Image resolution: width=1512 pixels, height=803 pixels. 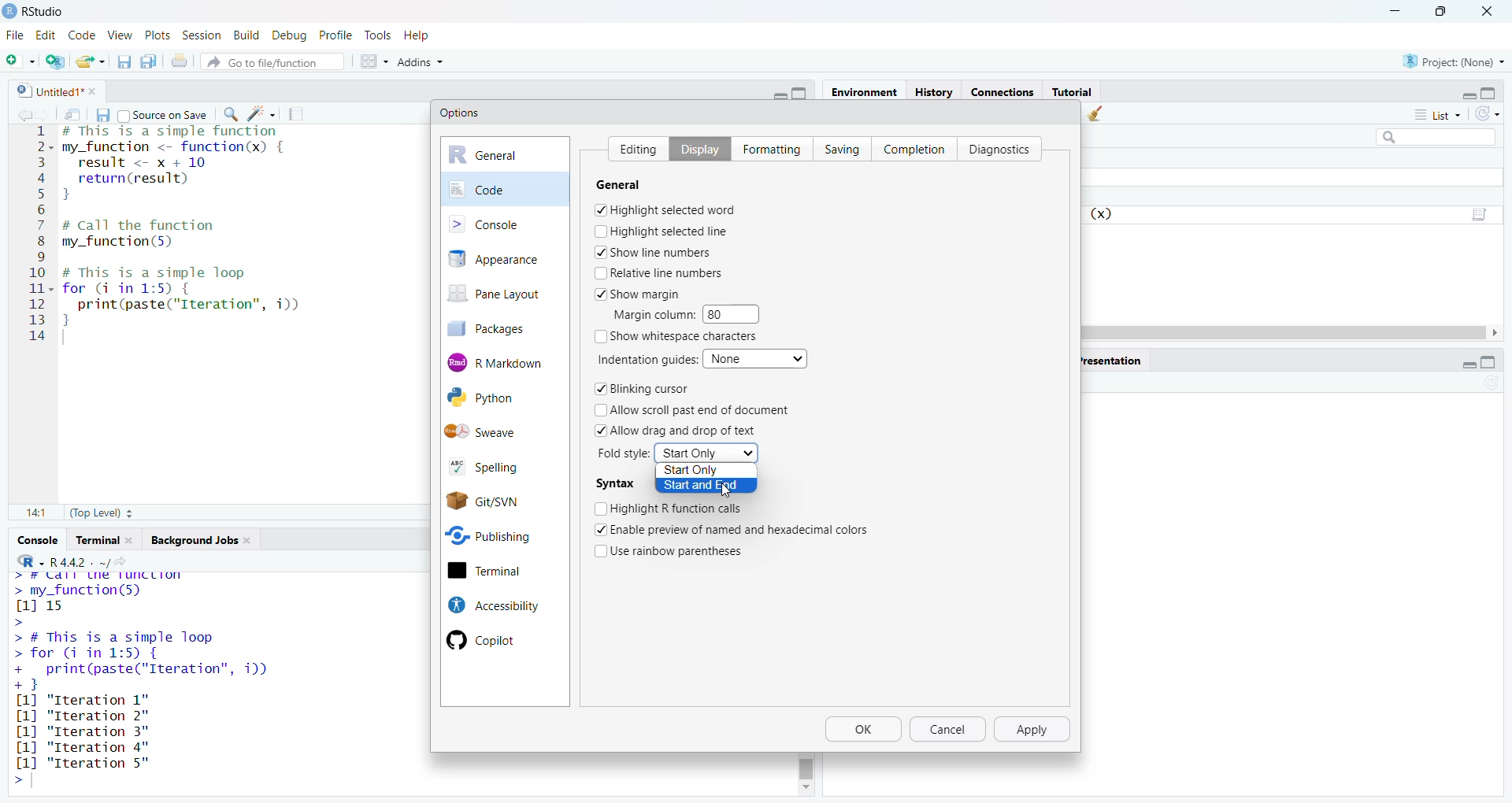 What do you see at coordinates (625, 453) in the screenshot?
I see `font style` at bounding box center [625, 453].